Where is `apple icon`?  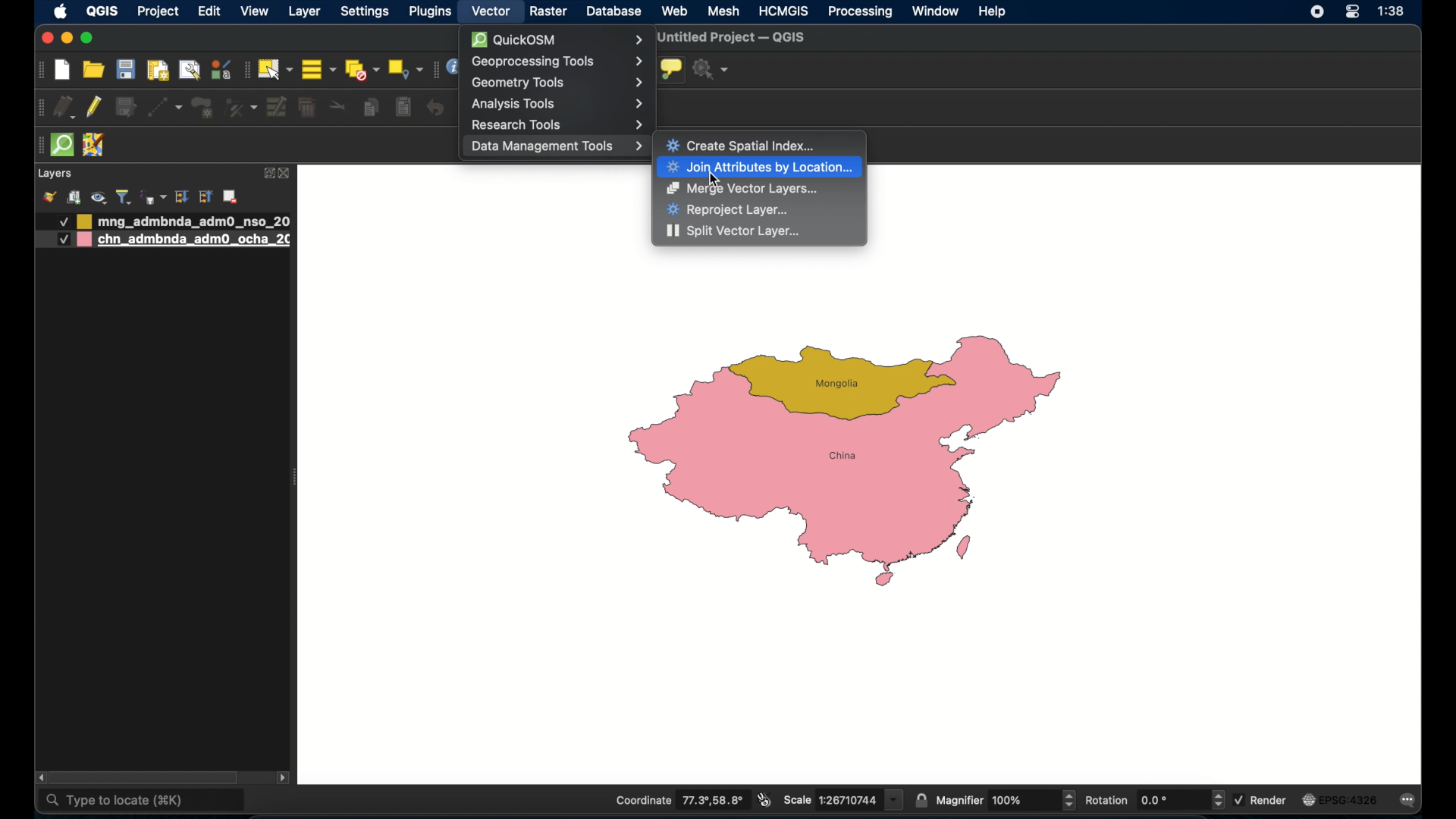 apple icon is located at coordinates (60, 11).